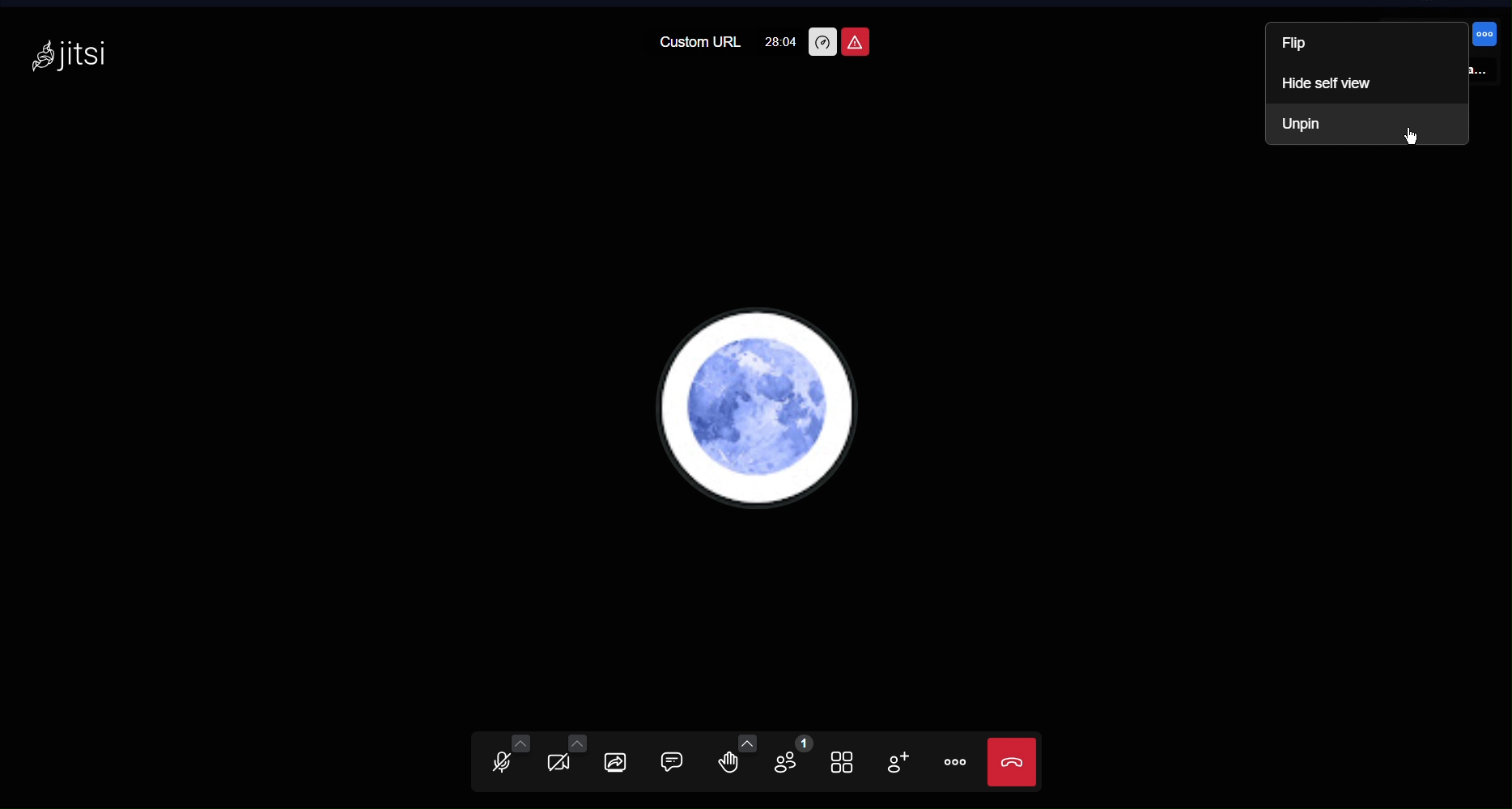  Describe the element at coordinates (1299, 44) in the screenshot. I see `Flip` at that location.